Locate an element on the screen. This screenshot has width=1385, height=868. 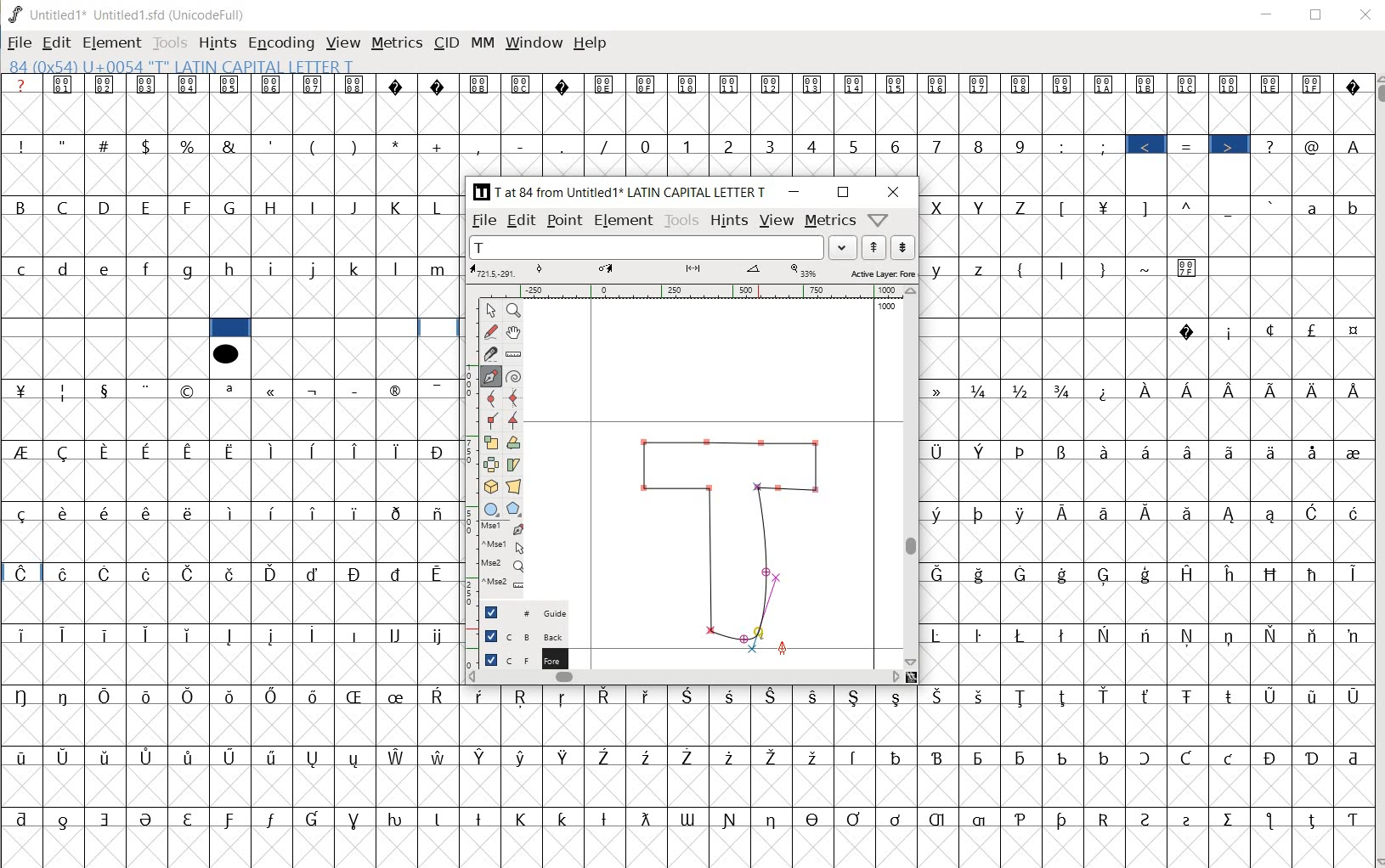
Symbol is located at coordinates (1065, 574).